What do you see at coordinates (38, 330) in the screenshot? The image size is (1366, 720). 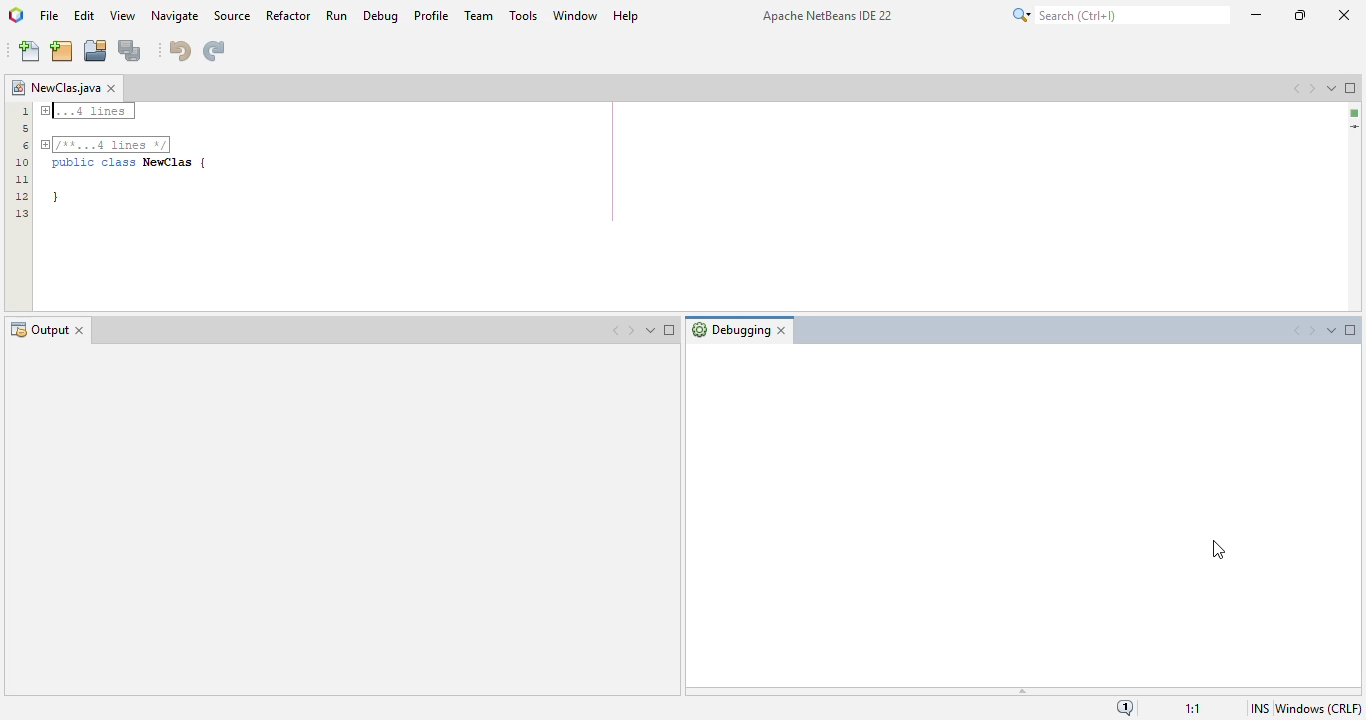 I see `Output` at bounding box center [38, 330].